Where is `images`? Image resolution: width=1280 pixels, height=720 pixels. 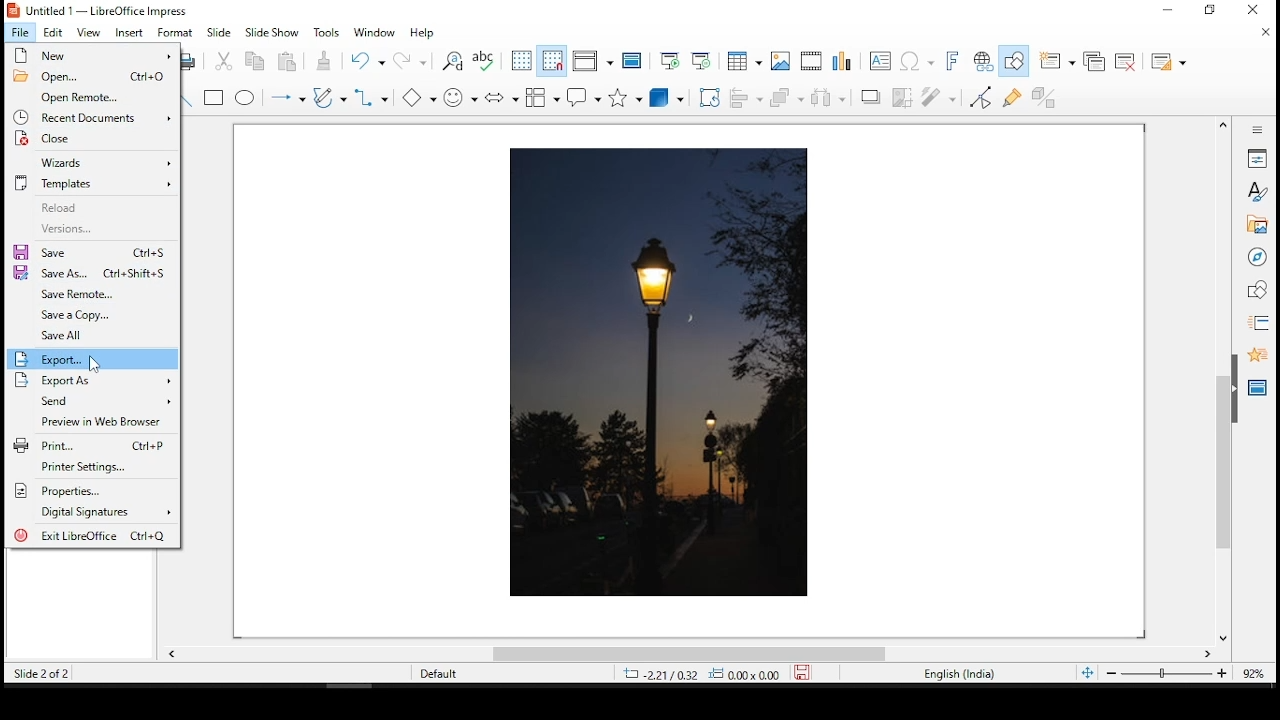 images is located at coordinates (779, 59).